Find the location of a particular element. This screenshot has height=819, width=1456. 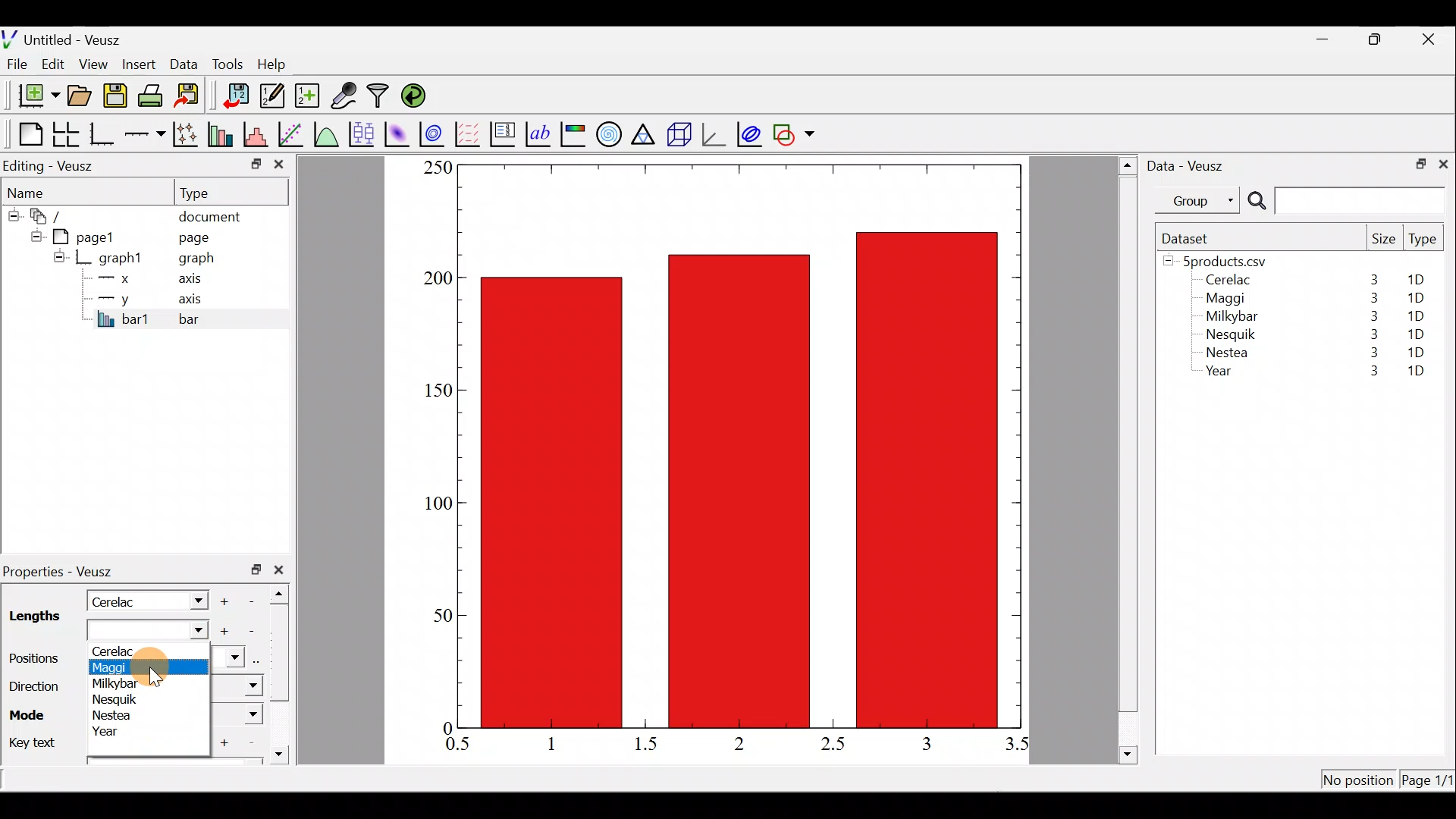

Ternary graph is located at coordinates (645, 132).